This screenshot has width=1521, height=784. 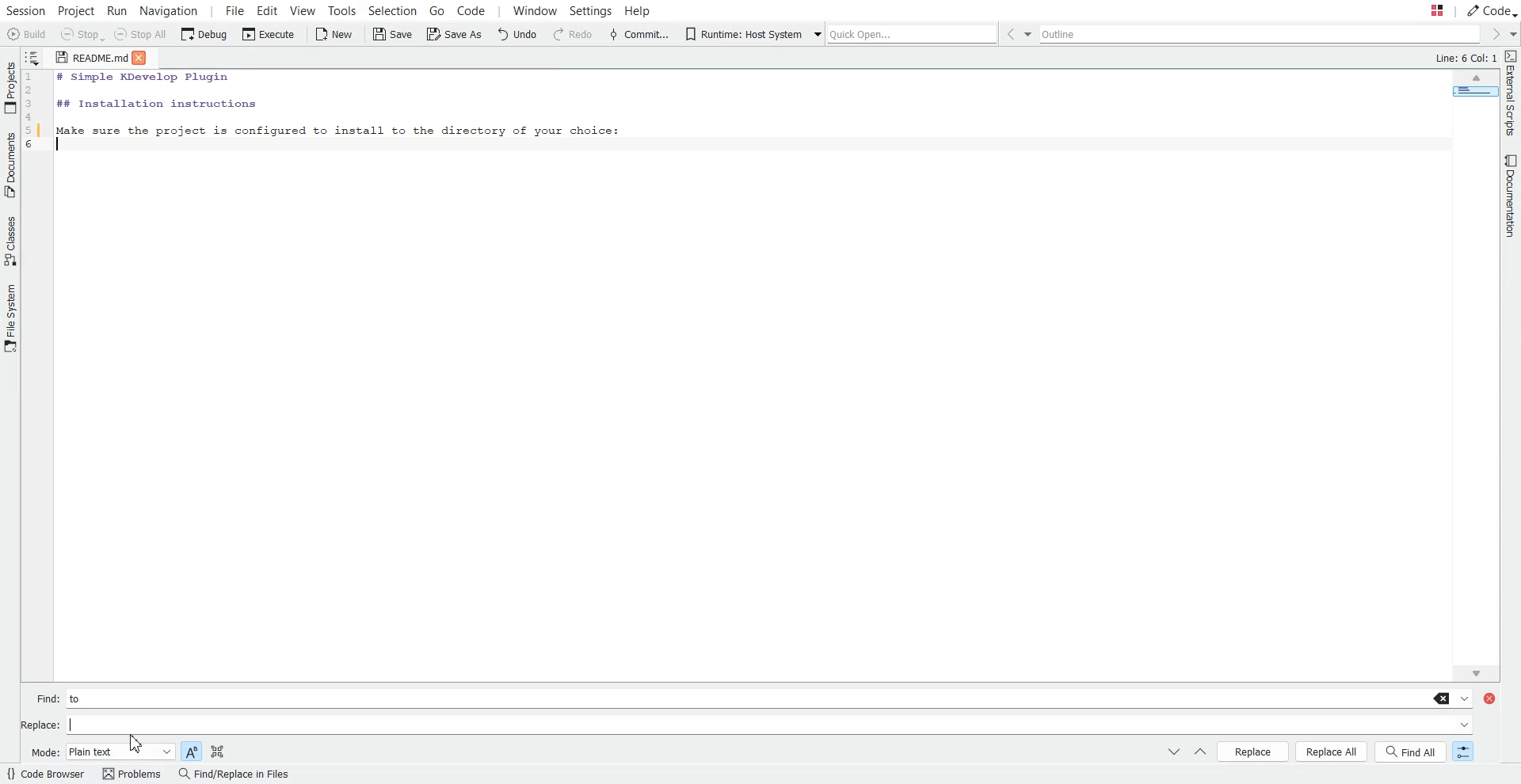 What do you see at coordinates (10, 165) in the screenshot?
I see `Documents` at bounding box center [10, 165].